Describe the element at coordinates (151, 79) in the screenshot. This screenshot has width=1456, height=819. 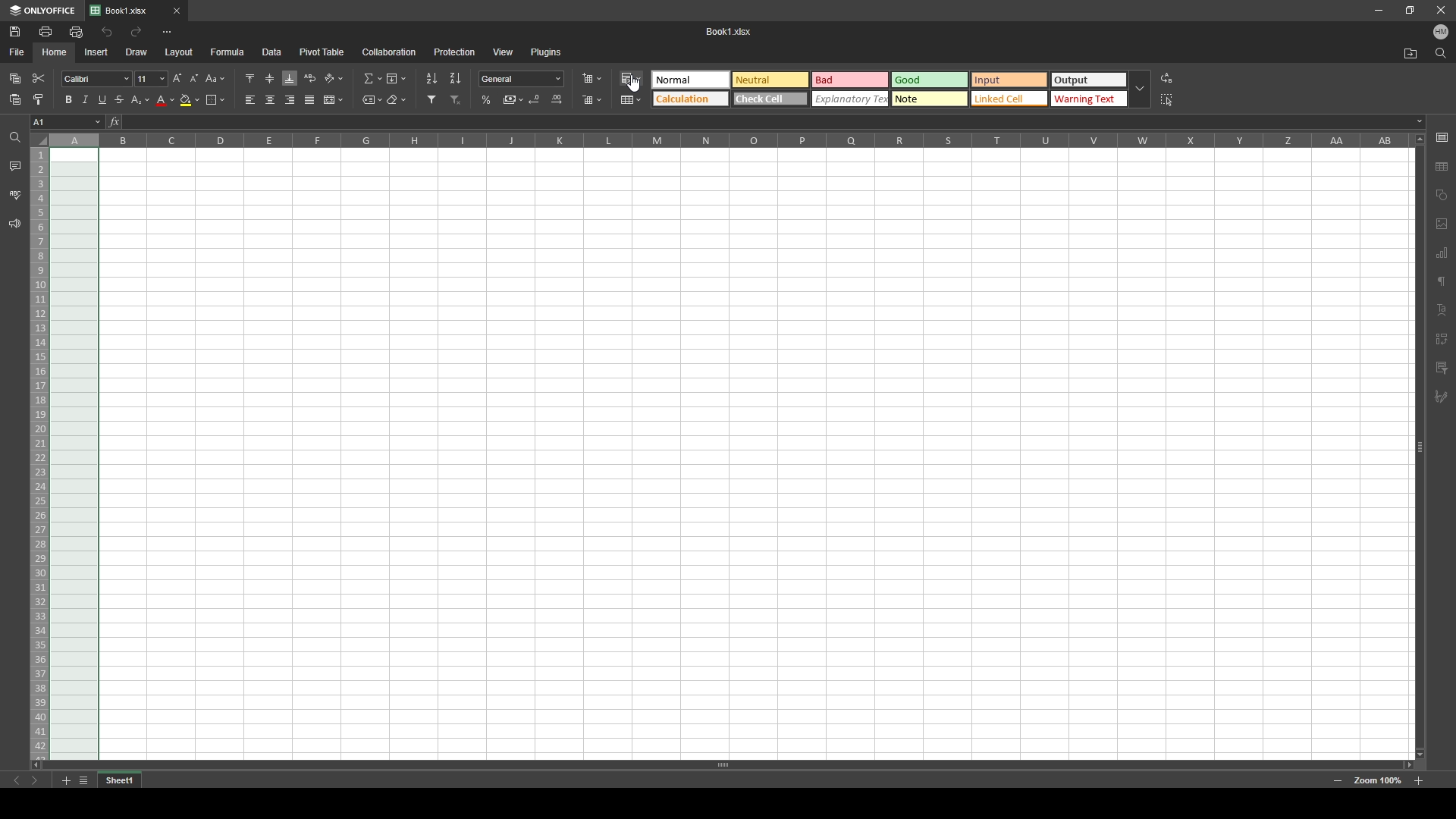
I see `font size` at that location.